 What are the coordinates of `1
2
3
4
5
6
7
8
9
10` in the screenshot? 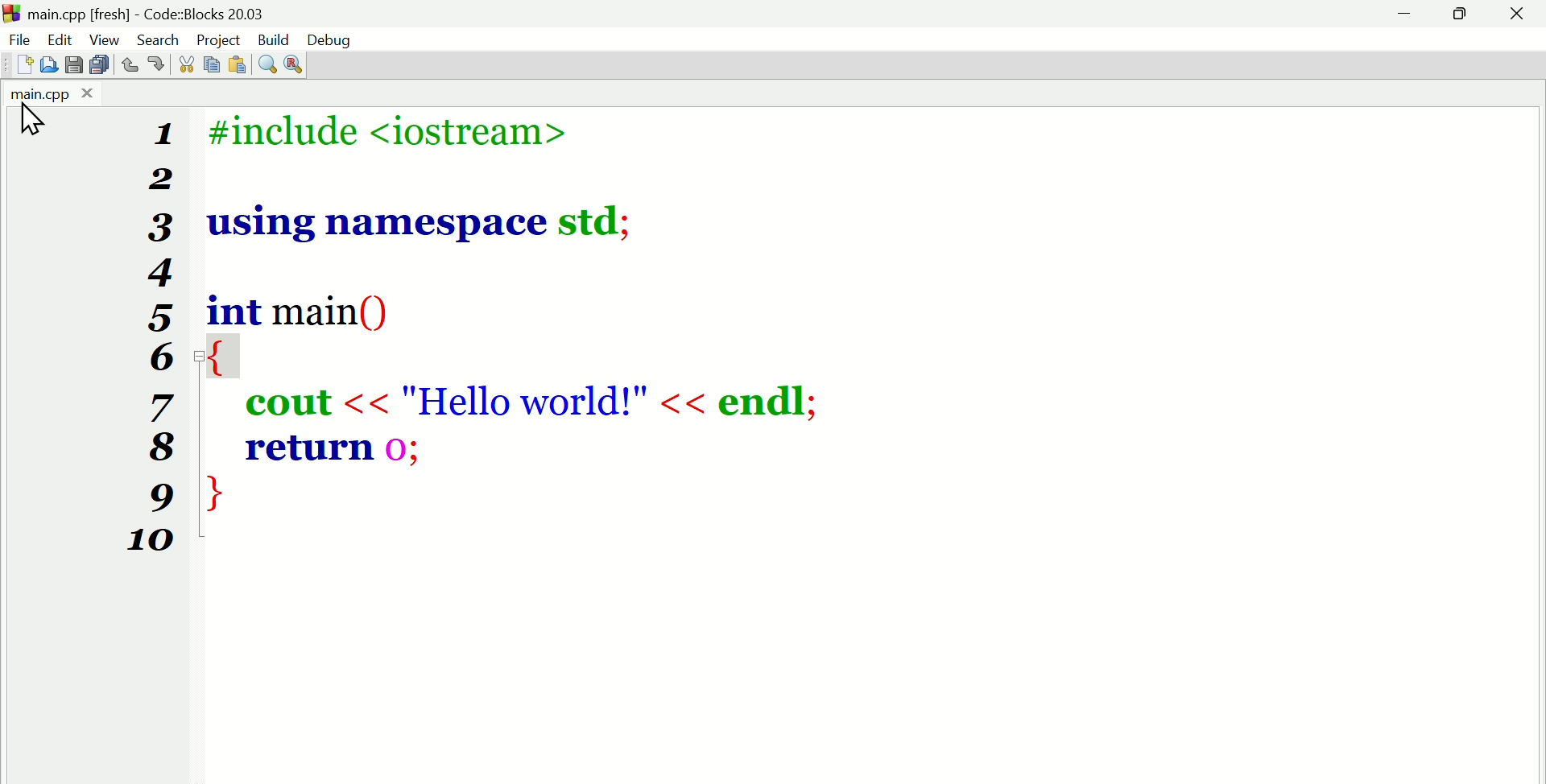 It's located at (146, 337).